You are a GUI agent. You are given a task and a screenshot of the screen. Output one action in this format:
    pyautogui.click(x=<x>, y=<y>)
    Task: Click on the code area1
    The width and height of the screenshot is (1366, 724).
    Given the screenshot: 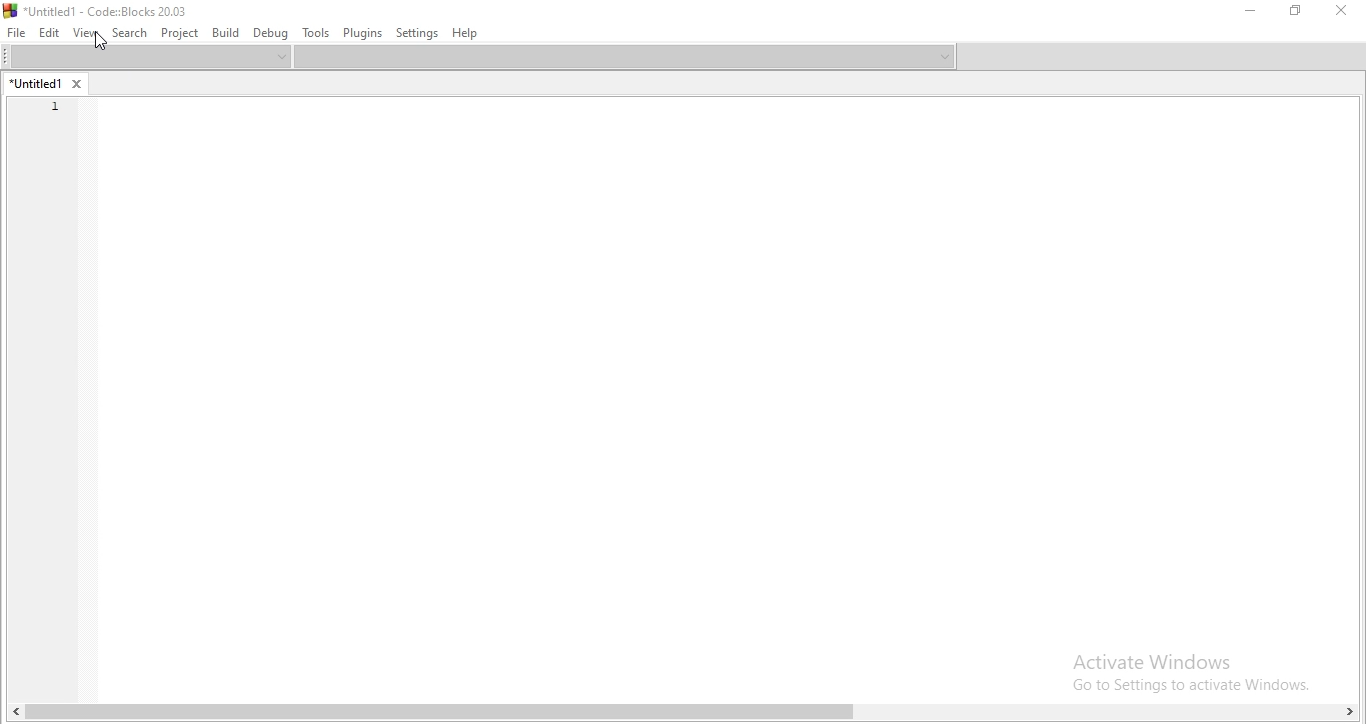 What is the action you would take?
    pyautogui.click(x=52, y=107)
    